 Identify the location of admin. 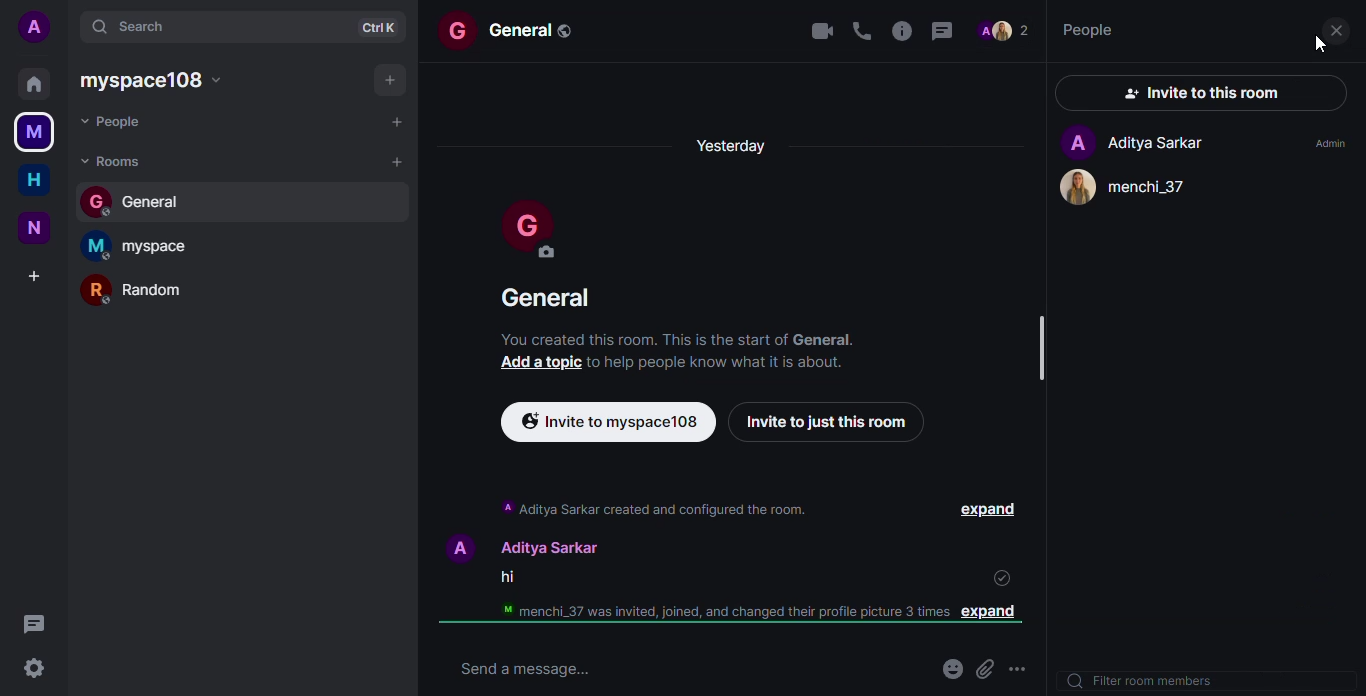
(1325, 144).